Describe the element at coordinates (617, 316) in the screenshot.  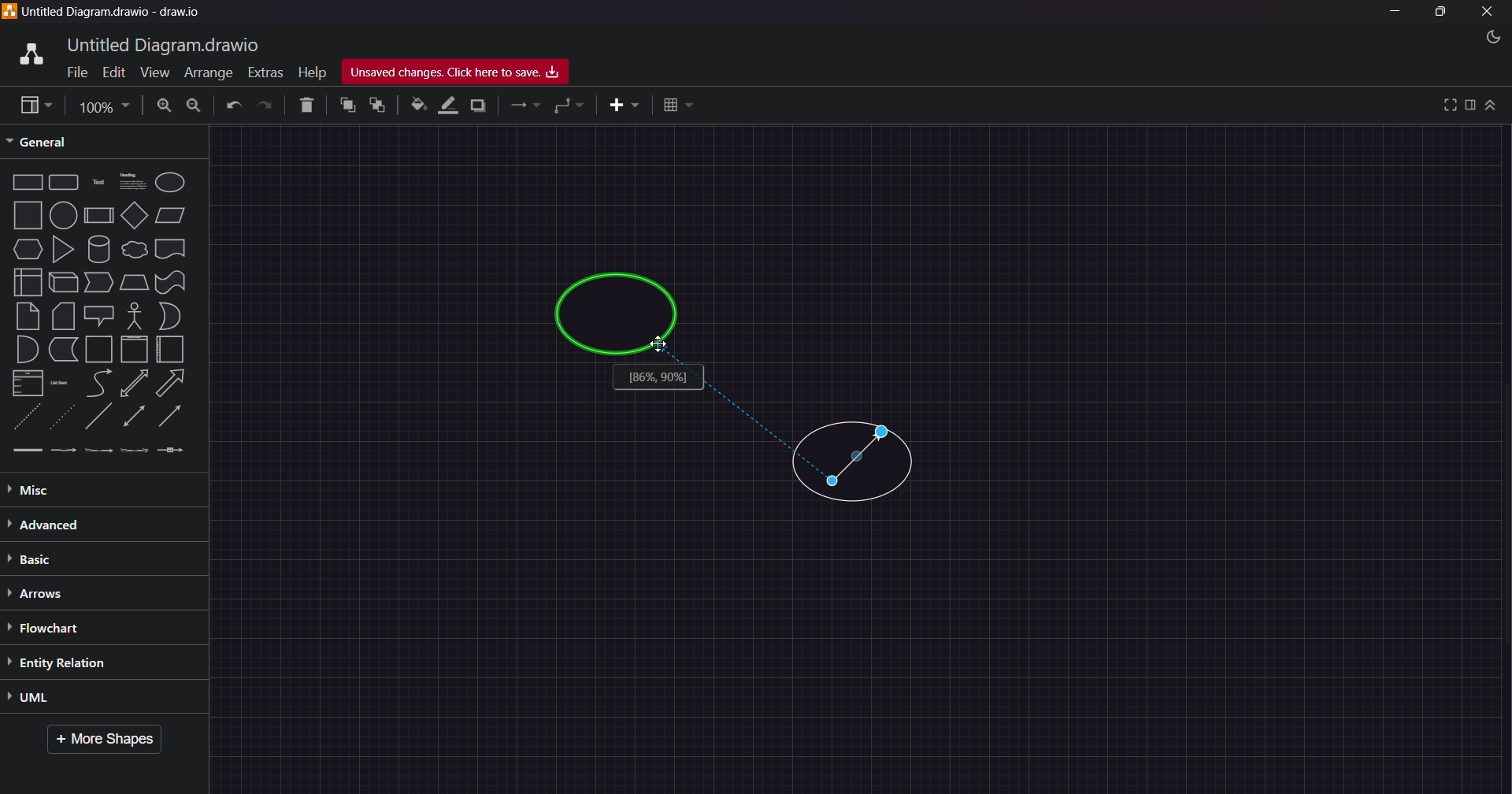
I see `circle` at that location.